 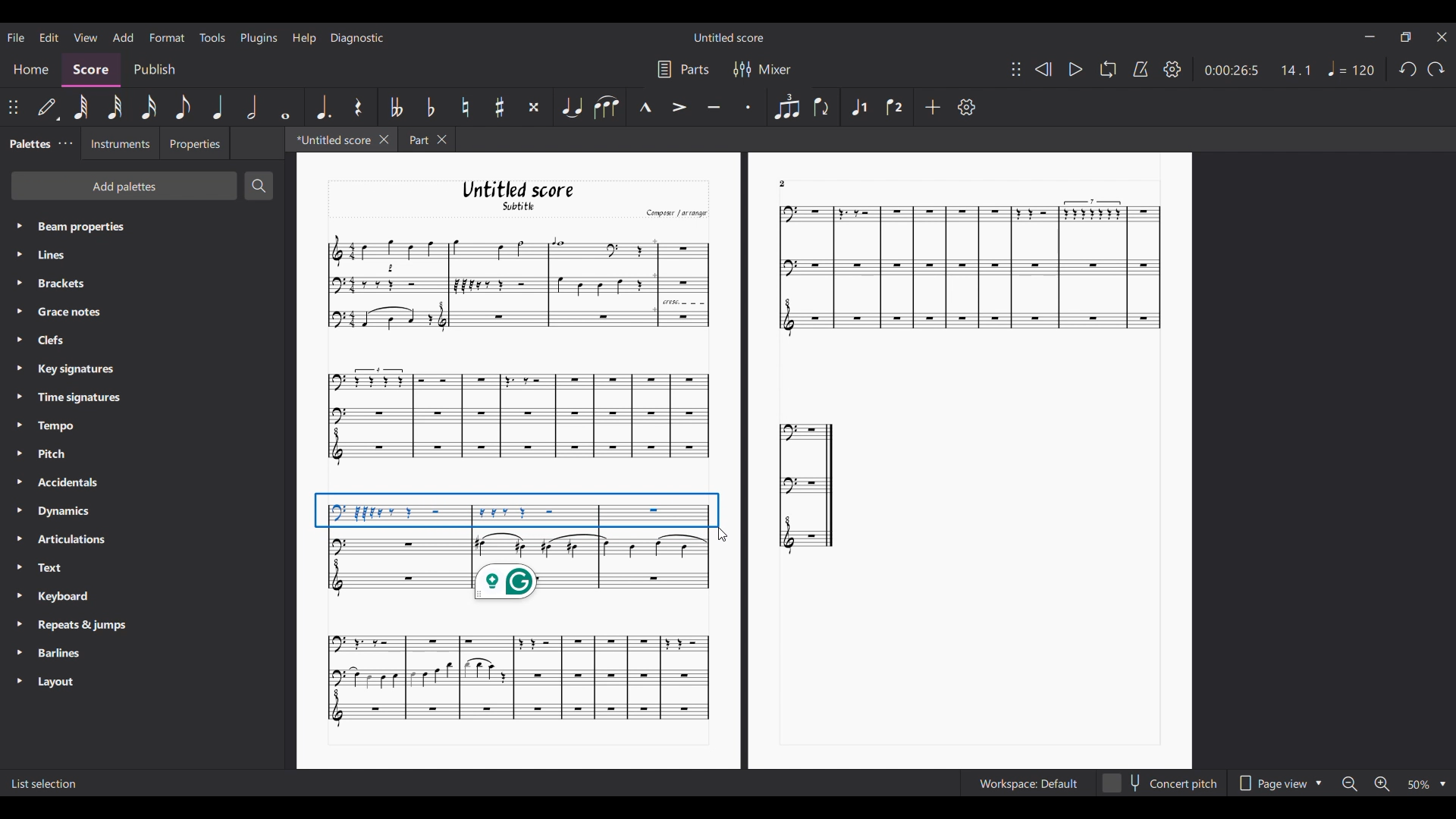 I want to click on Zoom out, so click(x=1348, y=783).